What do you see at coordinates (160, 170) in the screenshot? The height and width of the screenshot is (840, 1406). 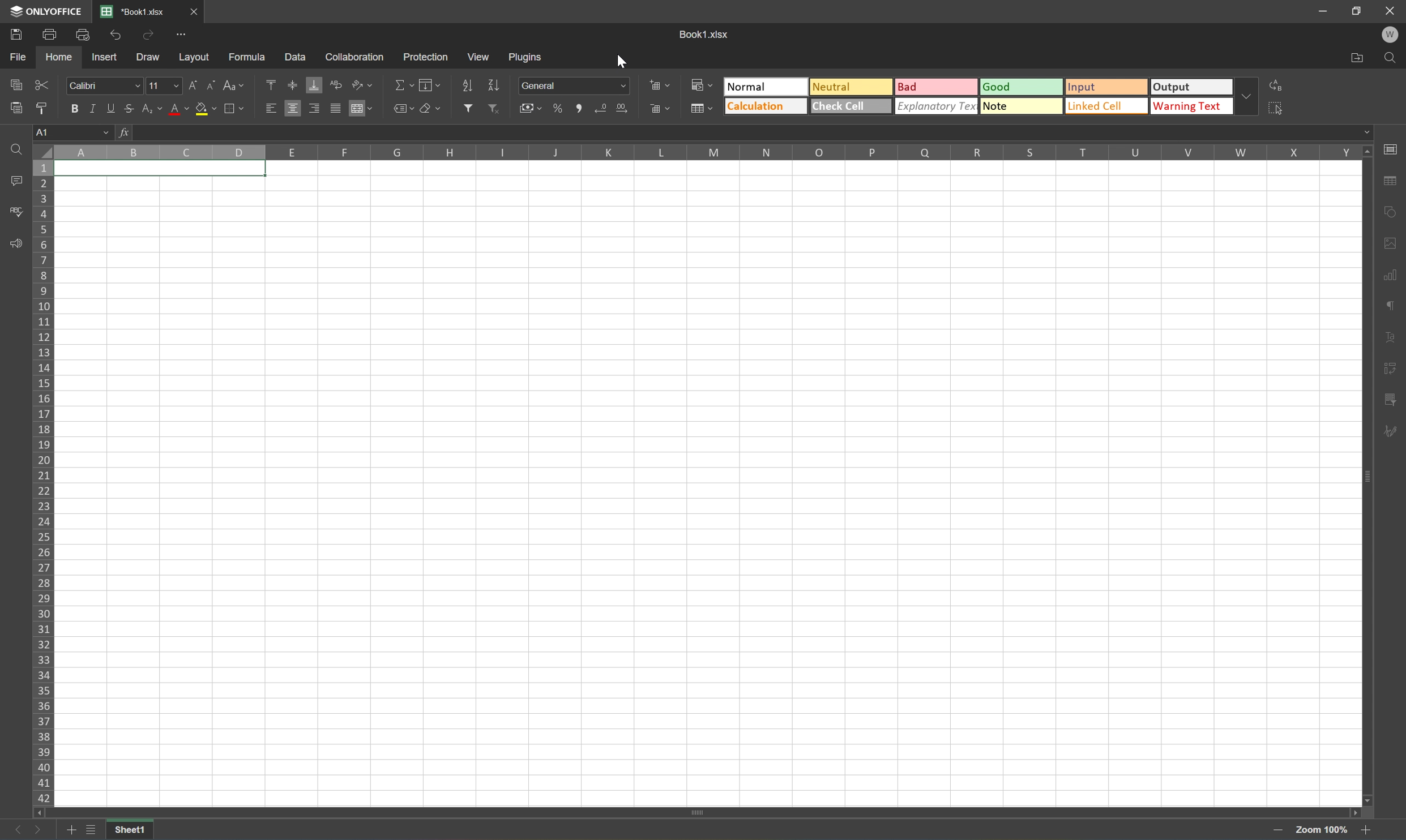 I see `Merged Cells` at bounding box center [160, 170].